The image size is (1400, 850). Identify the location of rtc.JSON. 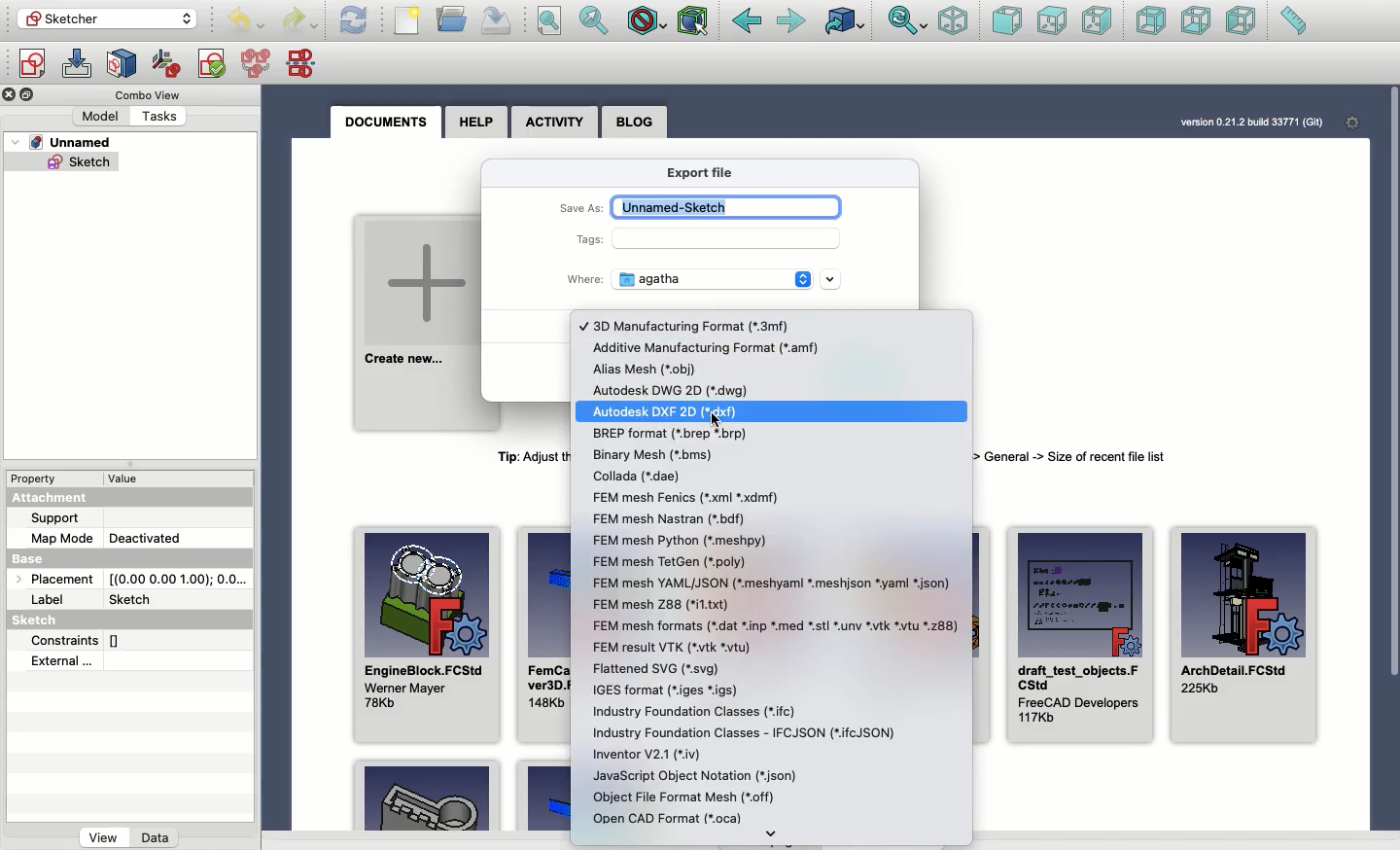
(748, 733).